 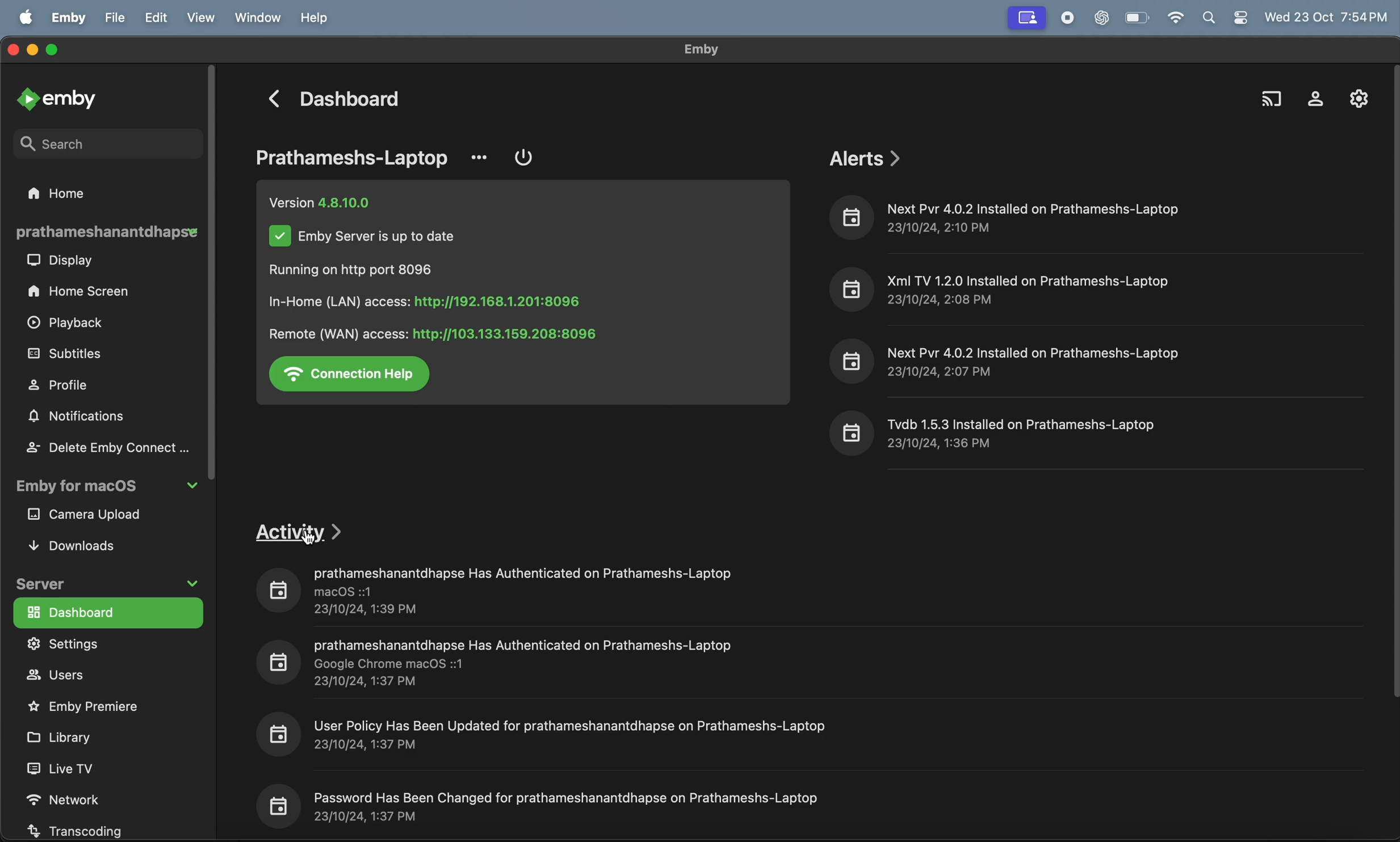 I want to click on options, so click(x=483, y=154).